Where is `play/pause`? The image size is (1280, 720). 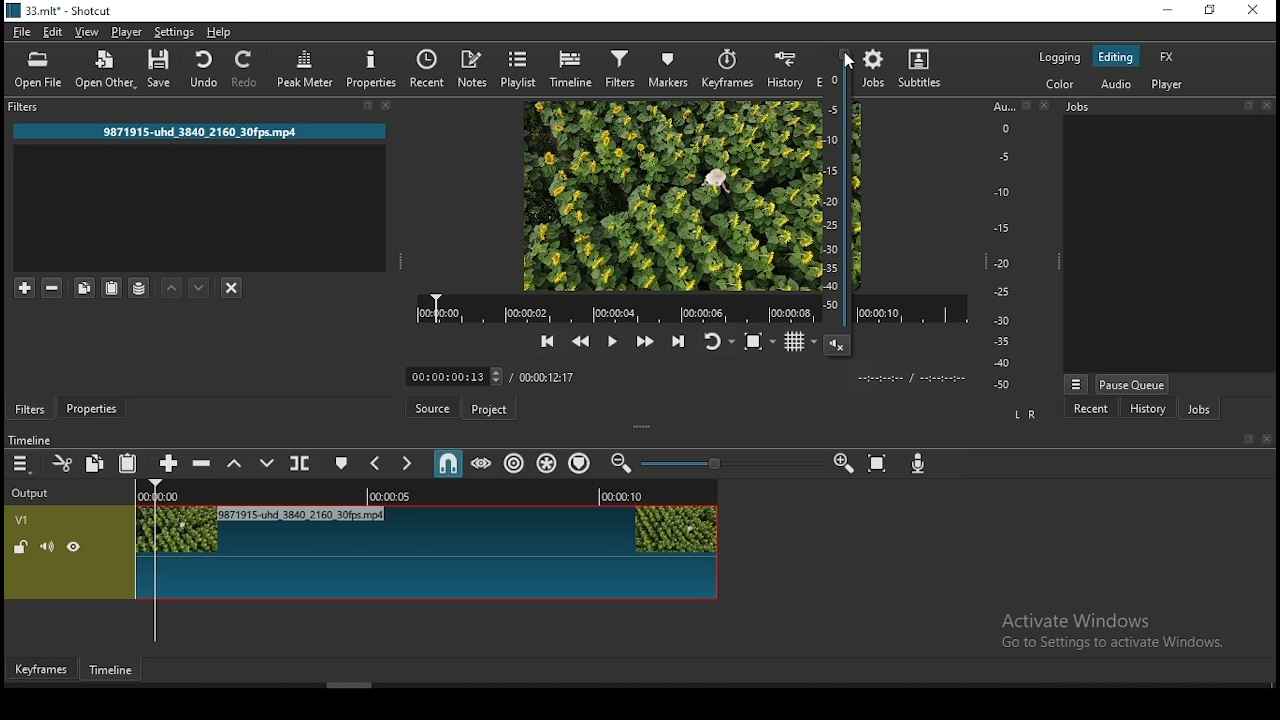
play/pause is located at coordinates (614, 343).